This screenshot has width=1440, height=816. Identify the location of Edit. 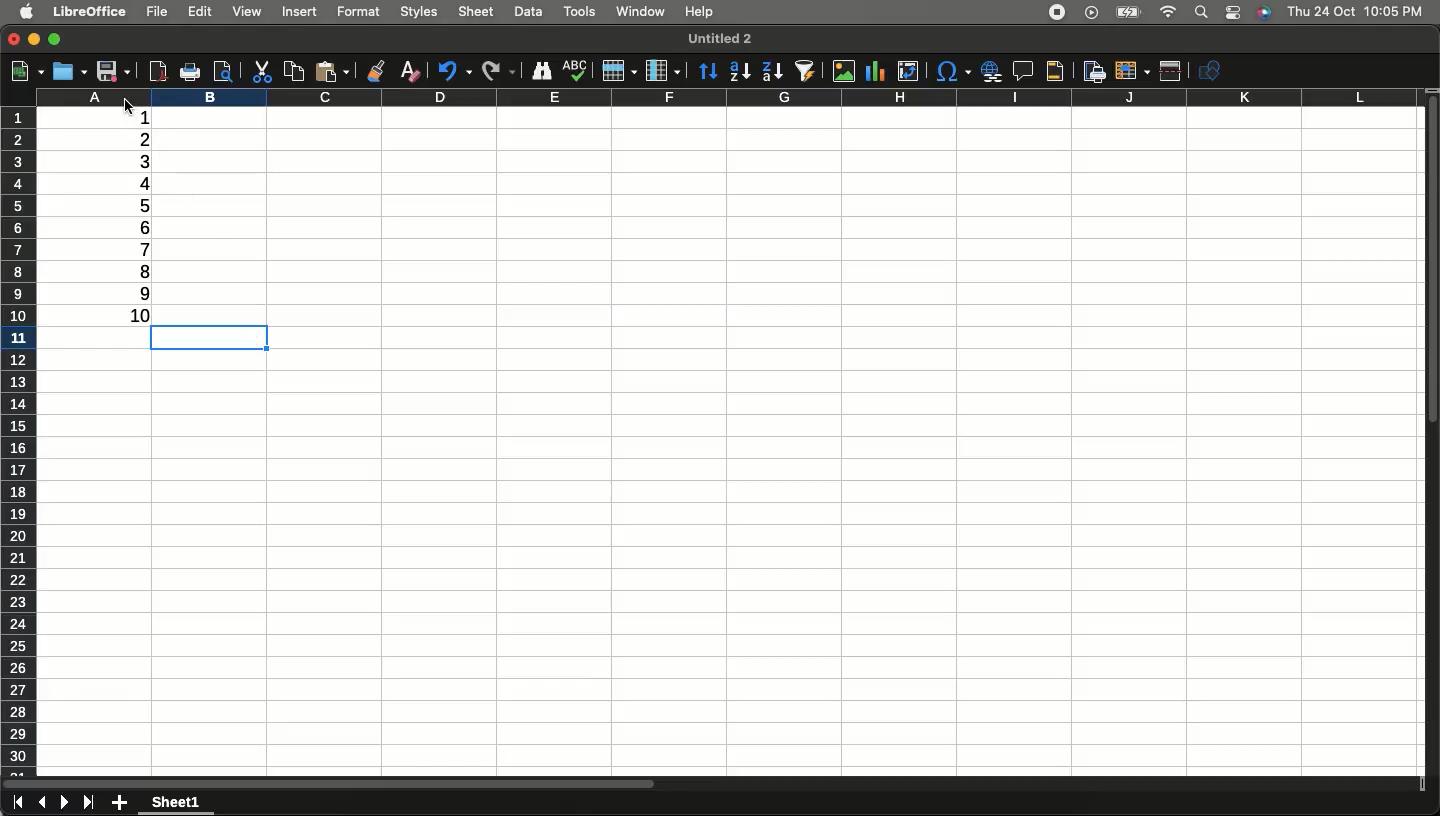
(202, 13).